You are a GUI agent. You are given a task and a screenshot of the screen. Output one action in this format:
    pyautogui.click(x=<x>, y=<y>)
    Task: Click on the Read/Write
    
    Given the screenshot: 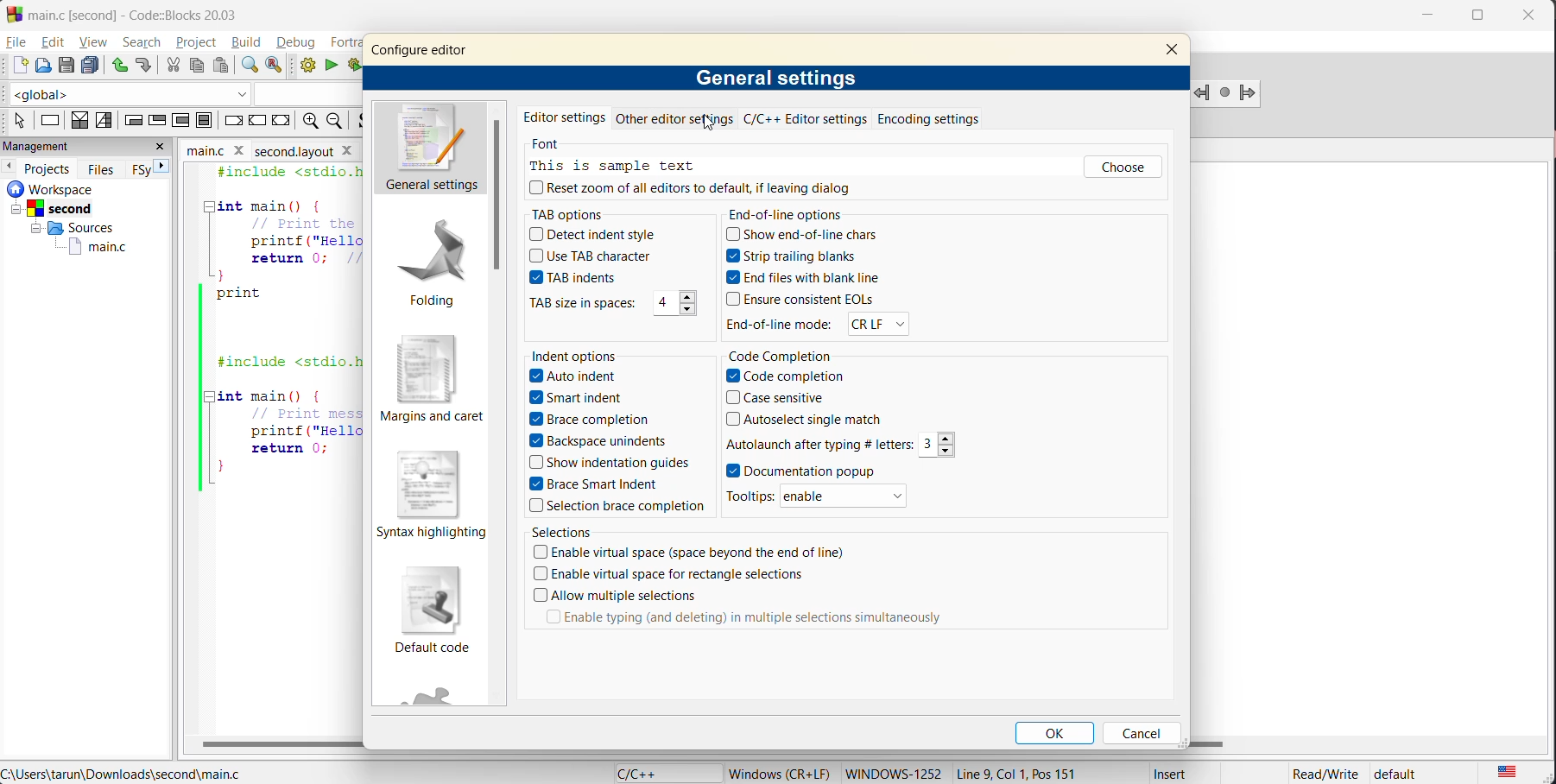 What is the action you would take?
    pyautogui.click(x=1325, y=773)
    